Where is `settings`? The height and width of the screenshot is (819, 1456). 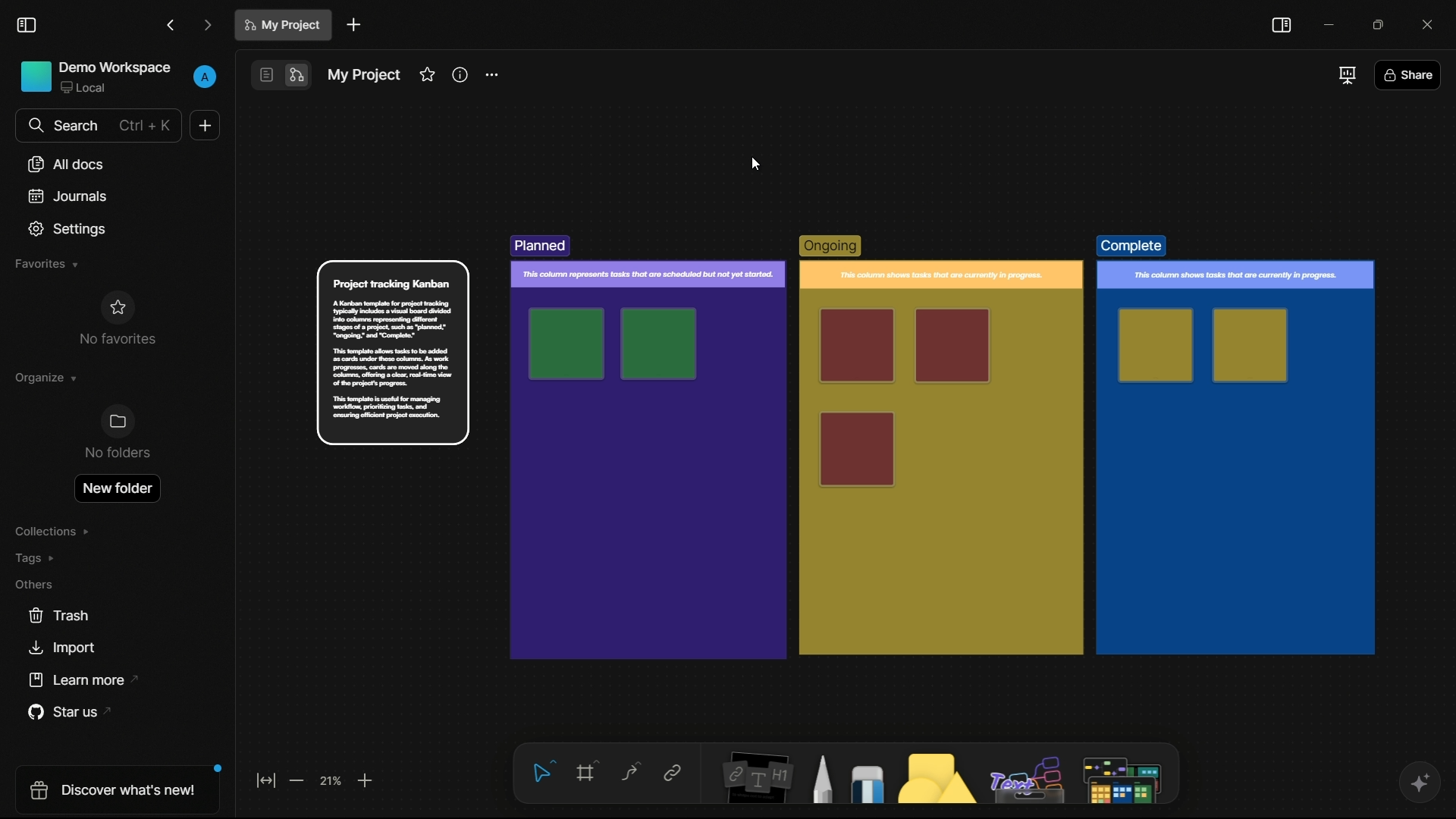
settings is located at coordinates (491, 76).